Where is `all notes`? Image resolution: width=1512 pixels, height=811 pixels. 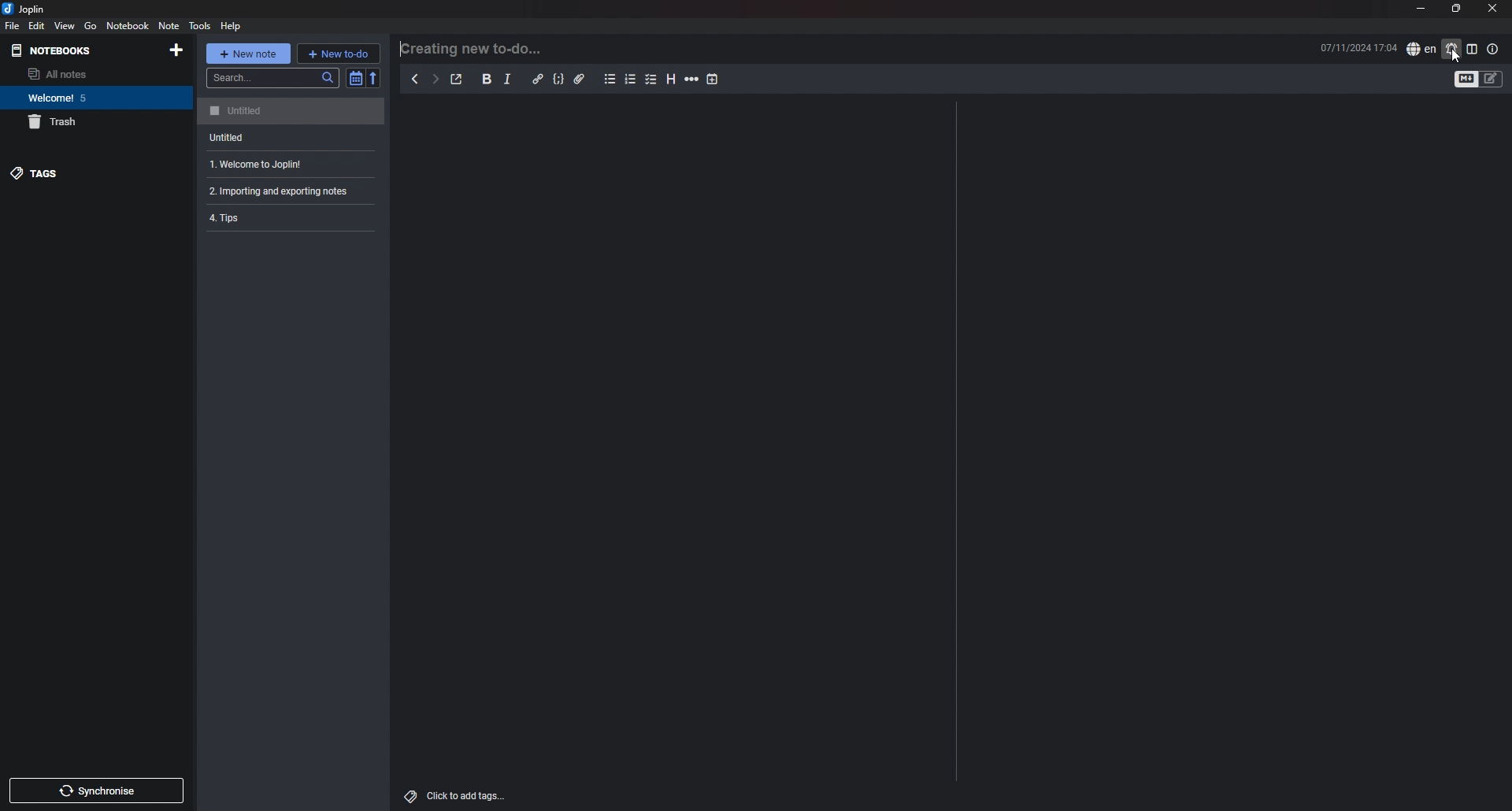 all notes is located at coordinates (83, 73).